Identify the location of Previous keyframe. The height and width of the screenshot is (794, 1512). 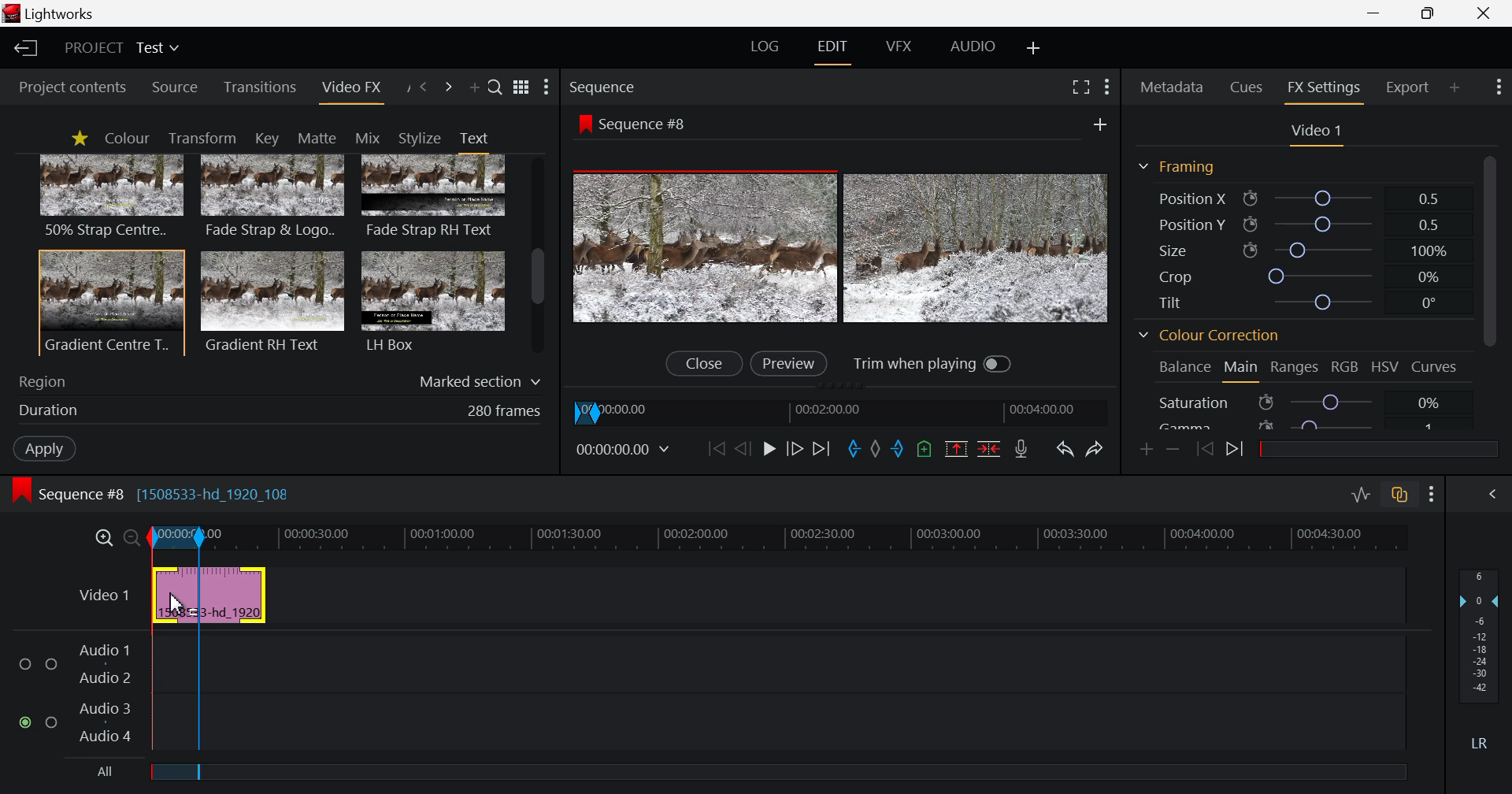
(1205, 449).